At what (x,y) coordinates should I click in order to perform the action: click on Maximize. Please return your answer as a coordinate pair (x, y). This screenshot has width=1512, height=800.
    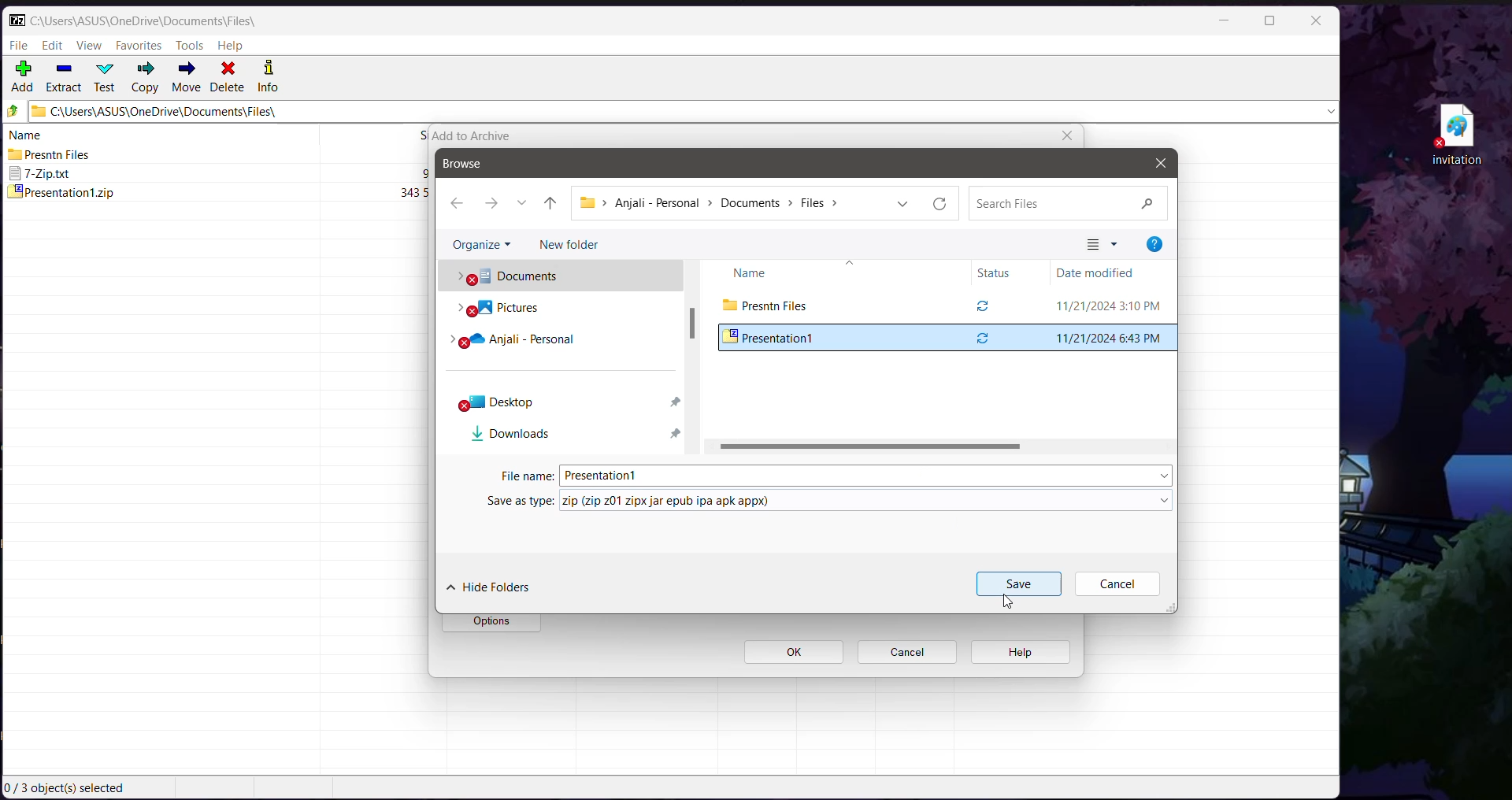
    Looking at the image, I should click on (1269, 22).